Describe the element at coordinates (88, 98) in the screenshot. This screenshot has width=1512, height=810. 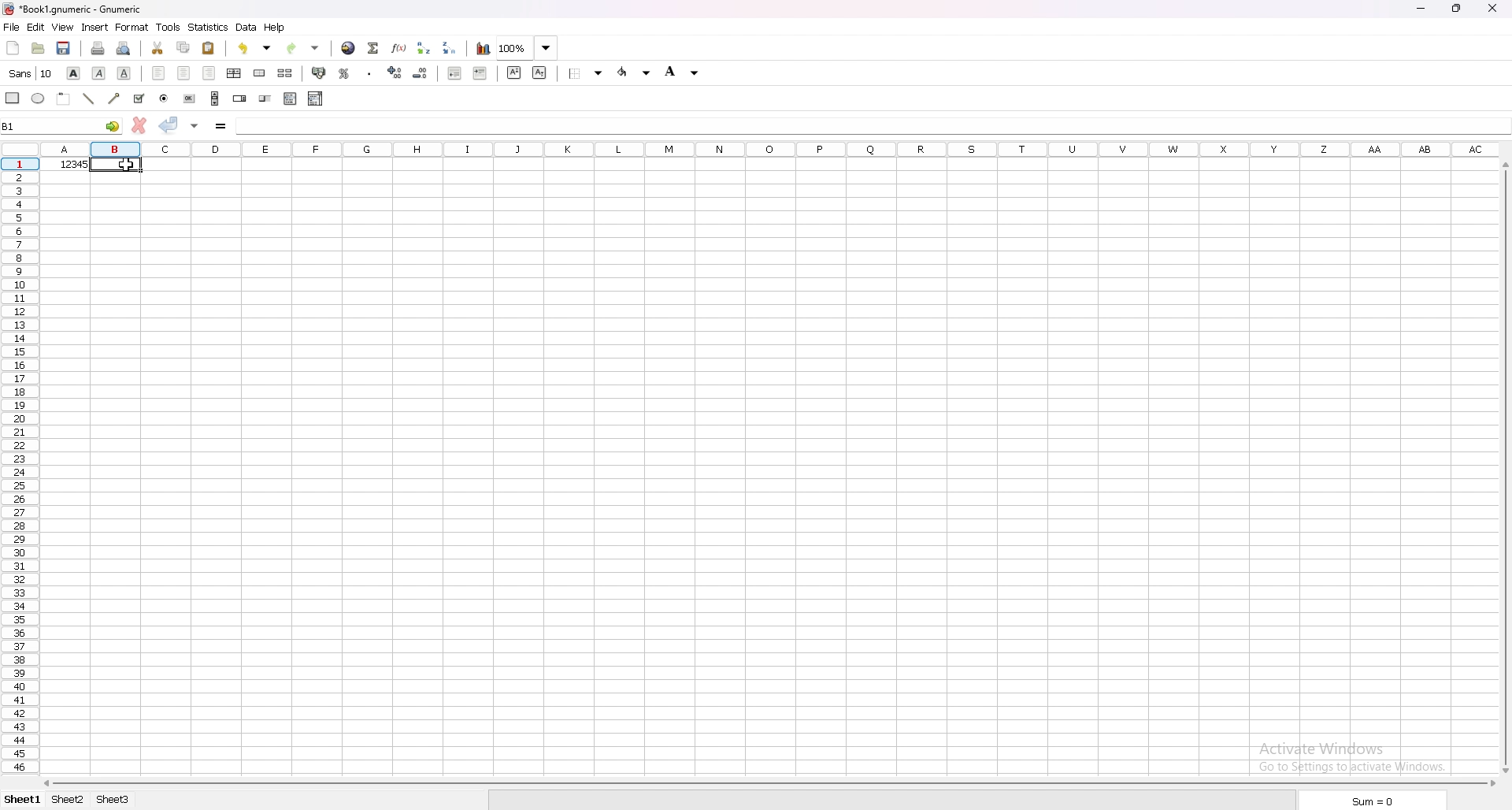
I see `line` at that location.